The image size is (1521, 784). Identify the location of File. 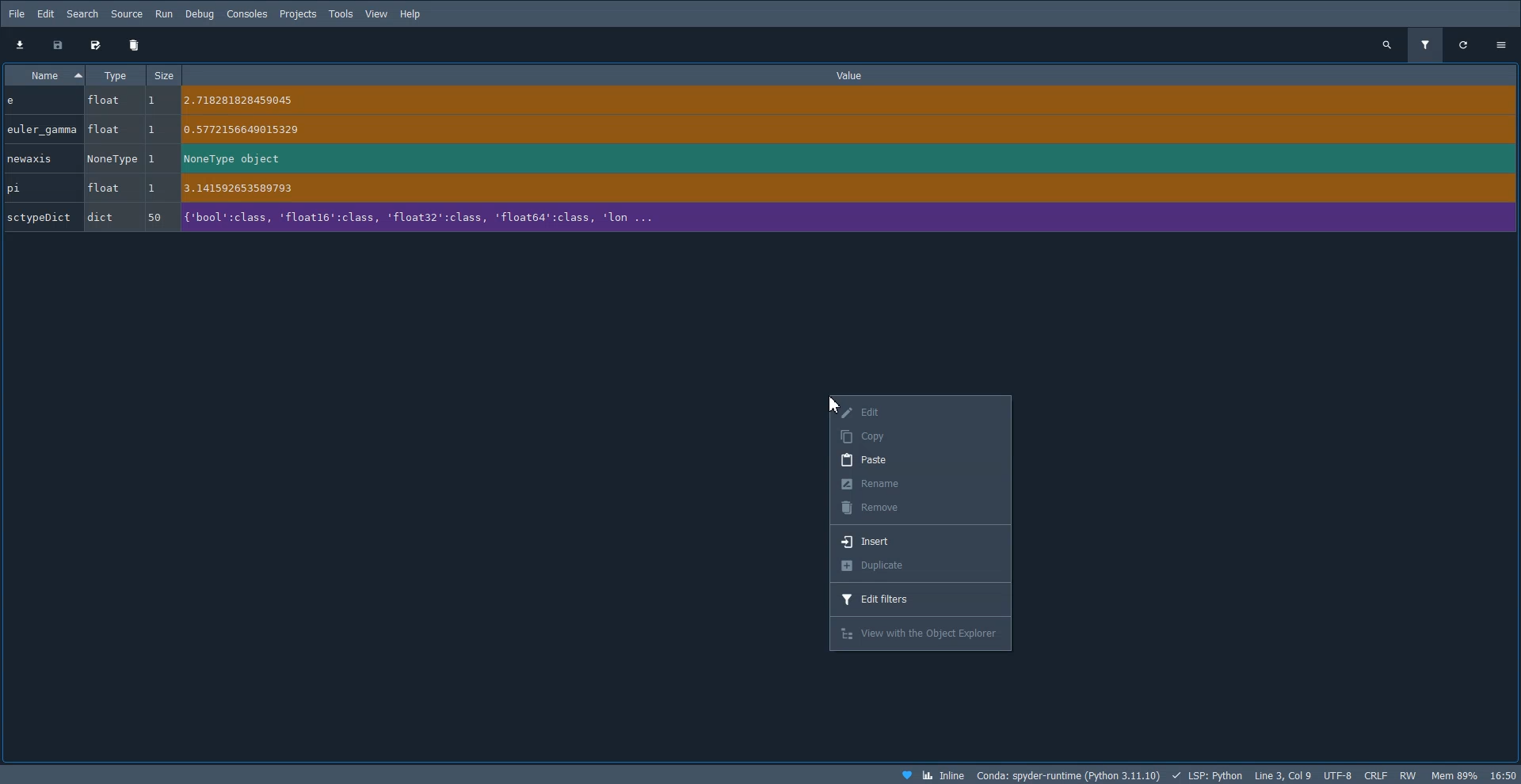
(18, 13).